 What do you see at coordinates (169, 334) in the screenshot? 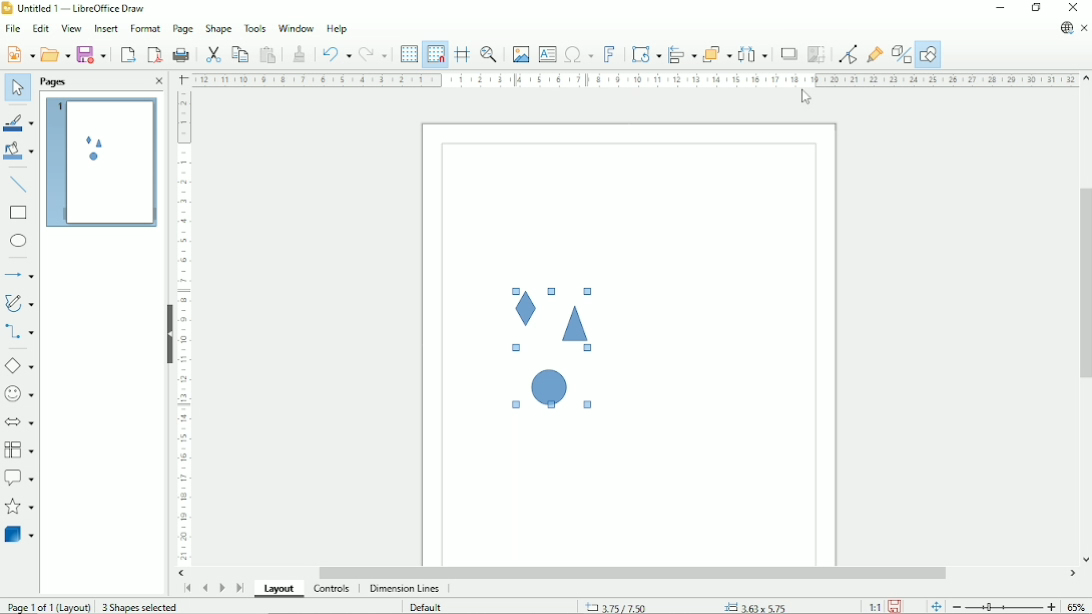
I see `Hide` at bounding box center [169, 334].